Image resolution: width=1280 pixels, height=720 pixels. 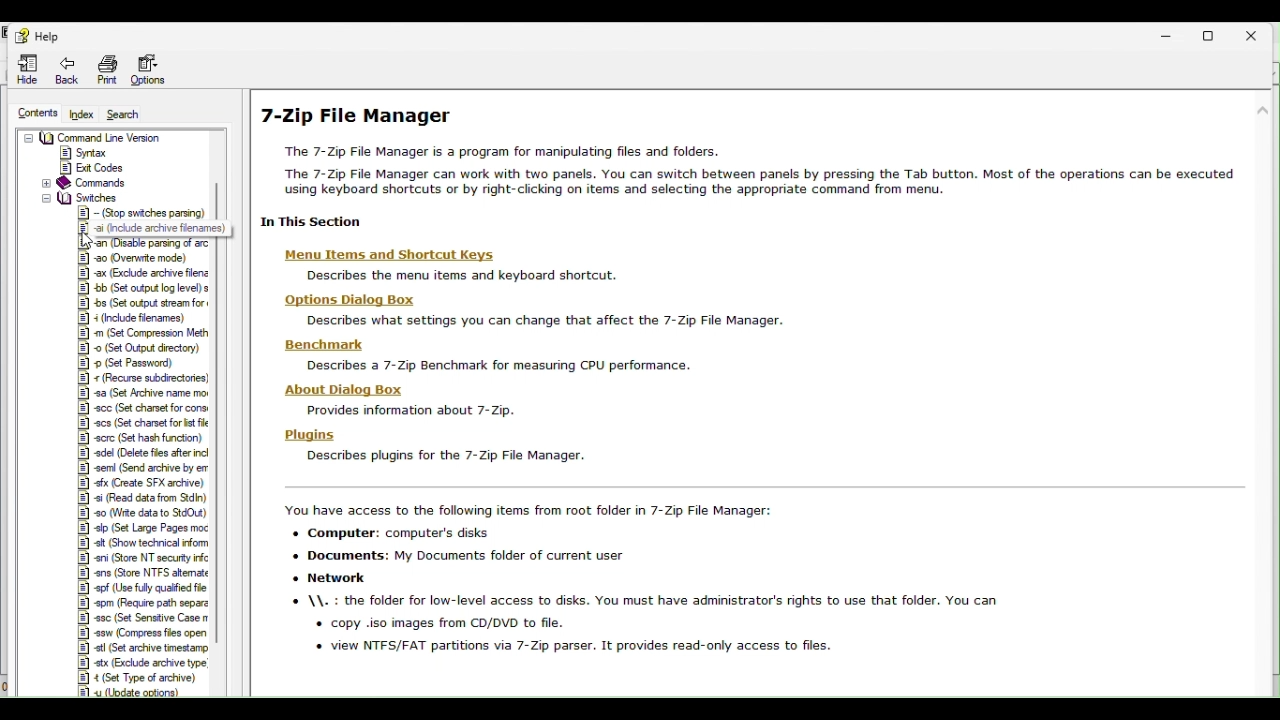 What do you see at coordinates (145, 647) in the screenshot?
I see `|] stl (Set archive tmestamp` at bounding box center [145, 647].